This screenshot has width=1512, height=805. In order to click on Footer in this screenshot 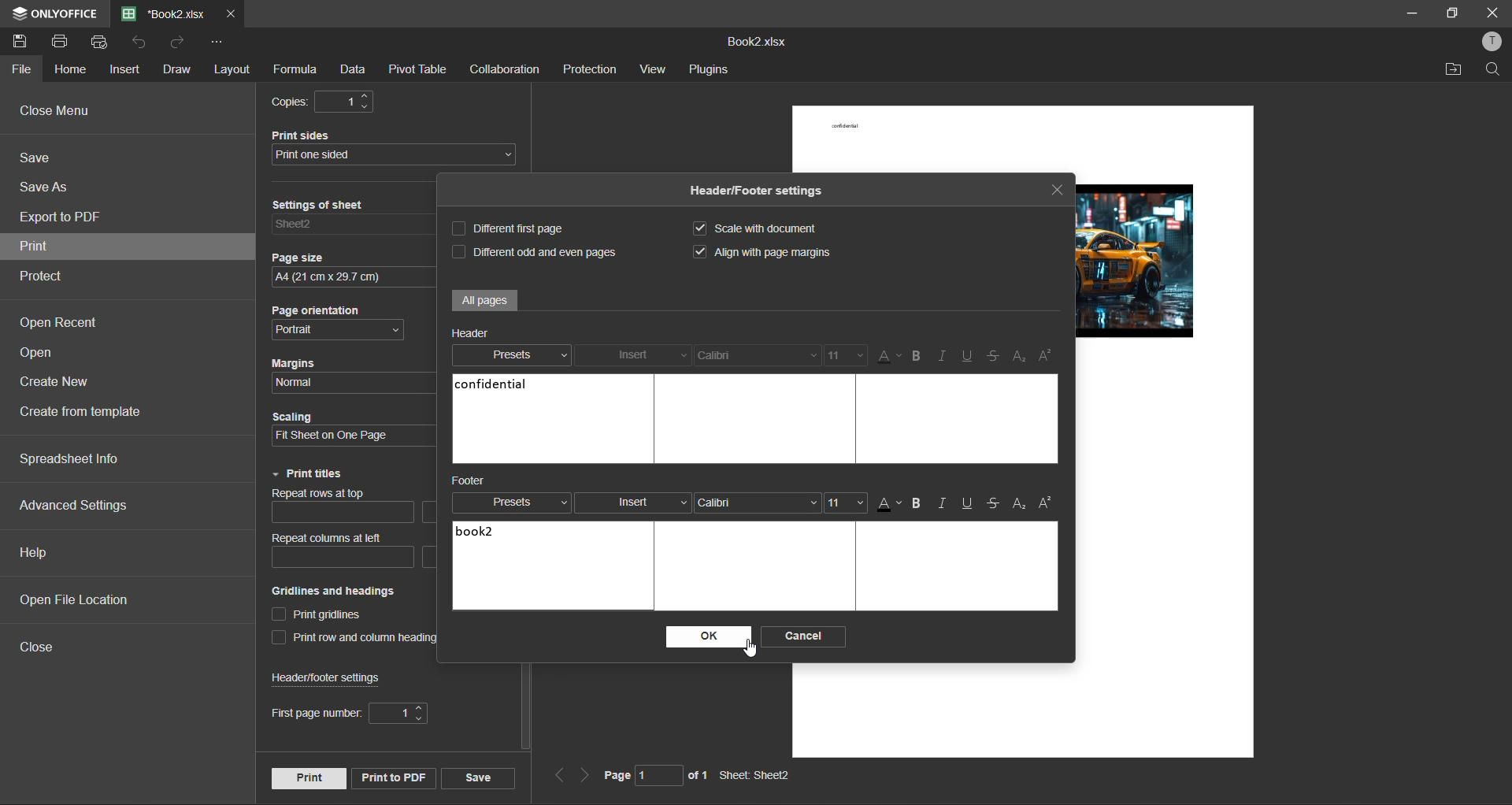, I will do `click(472, 480)`.